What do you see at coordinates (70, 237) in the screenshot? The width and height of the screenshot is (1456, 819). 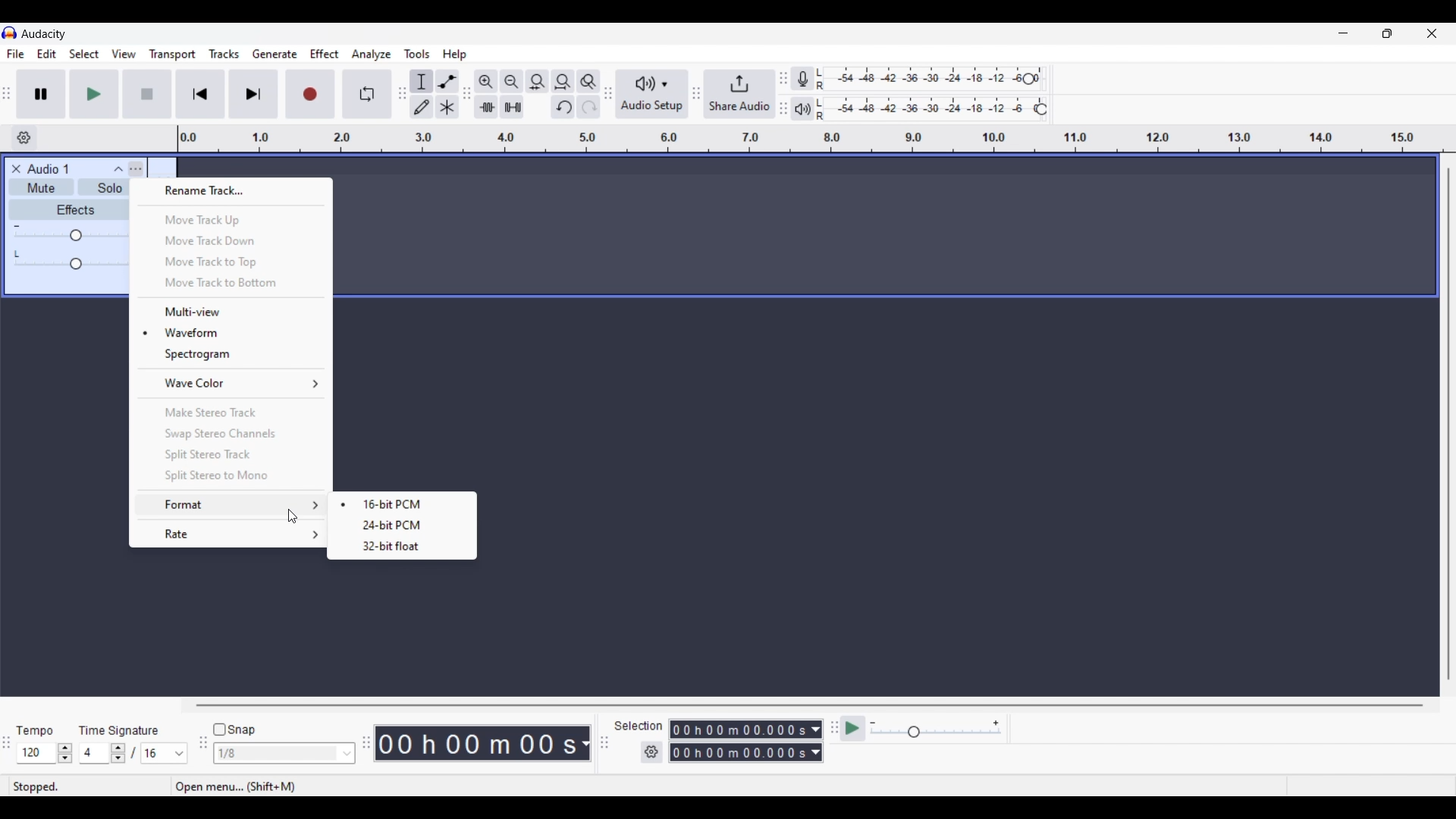 I see `Slider` at bounding box center [70, 237].